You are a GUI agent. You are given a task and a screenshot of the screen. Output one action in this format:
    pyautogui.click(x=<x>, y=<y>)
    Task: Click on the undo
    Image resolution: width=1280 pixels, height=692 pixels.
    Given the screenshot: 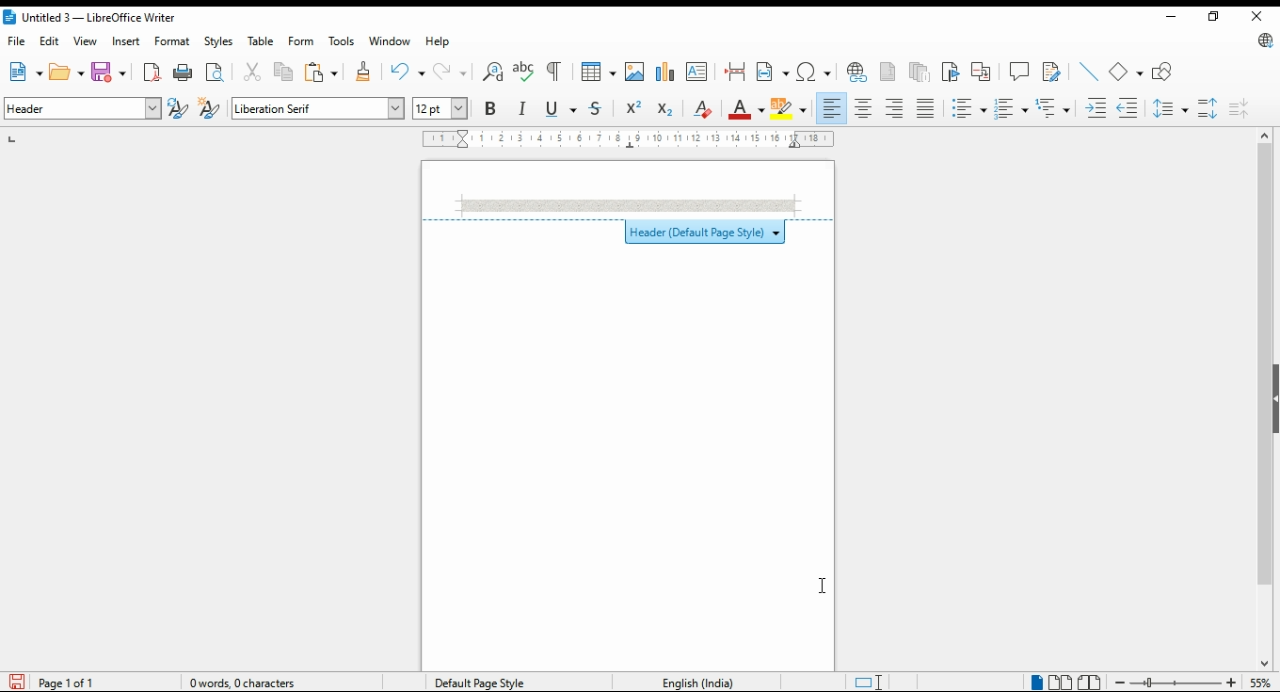 What is the action you would take?
    pyautogui.click(x=409, y=72)
    